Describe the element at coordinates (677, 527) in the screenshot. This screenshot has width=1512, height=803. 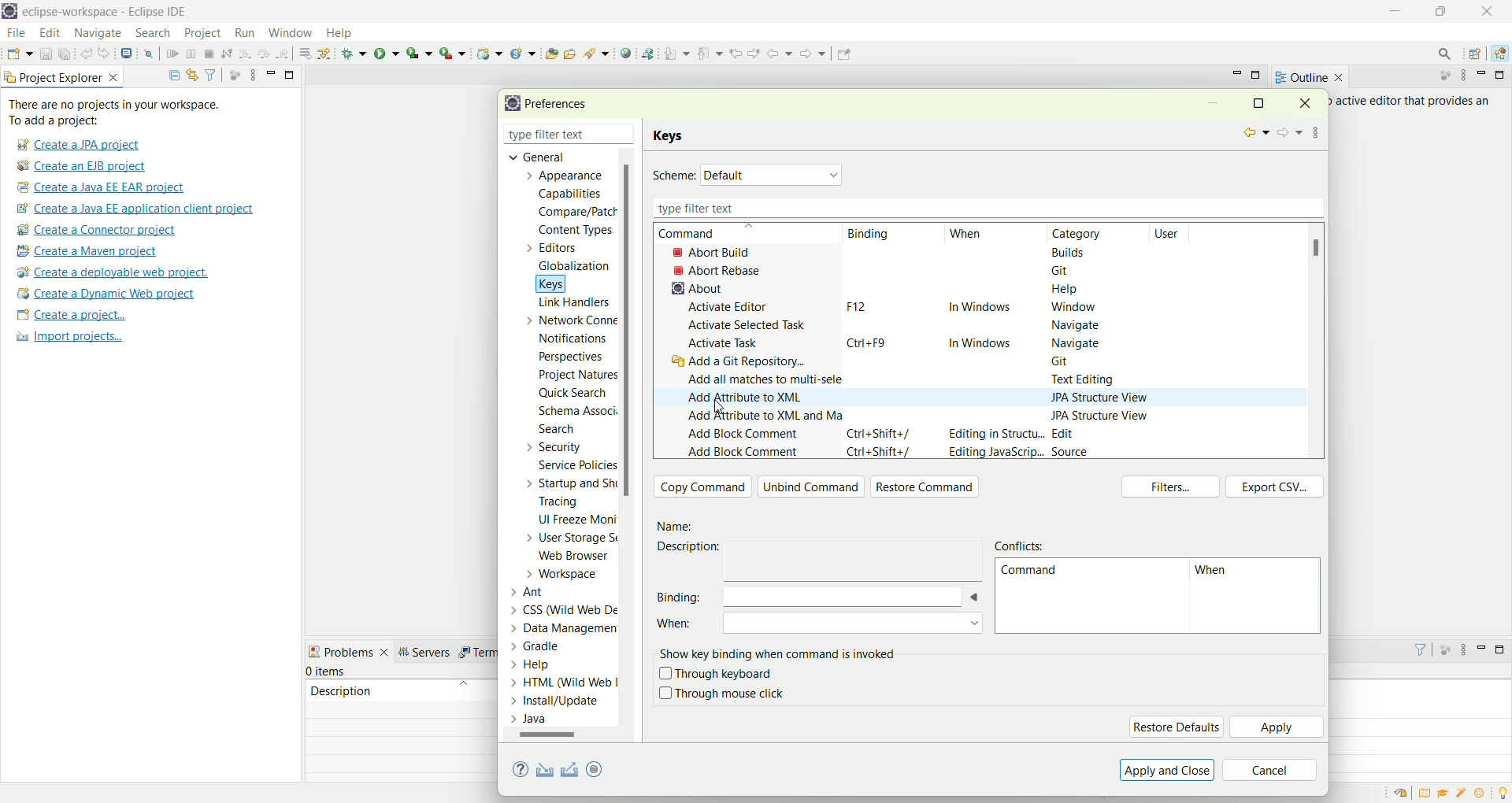
I see `Name` at that location.